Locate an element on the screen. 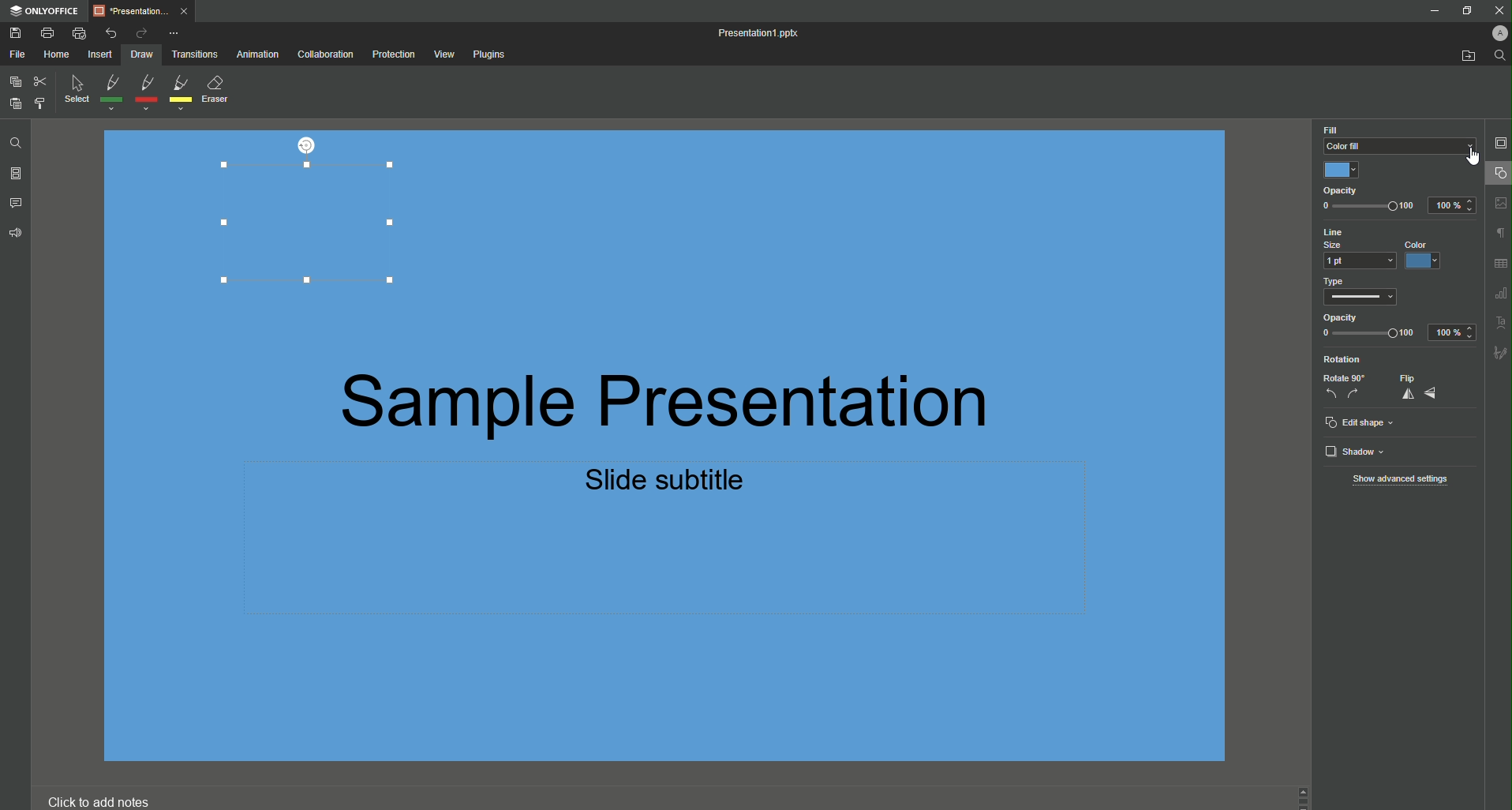 The width and height of the screenshot is (1512, 810). Yellow is located at coordinates (182, 93).